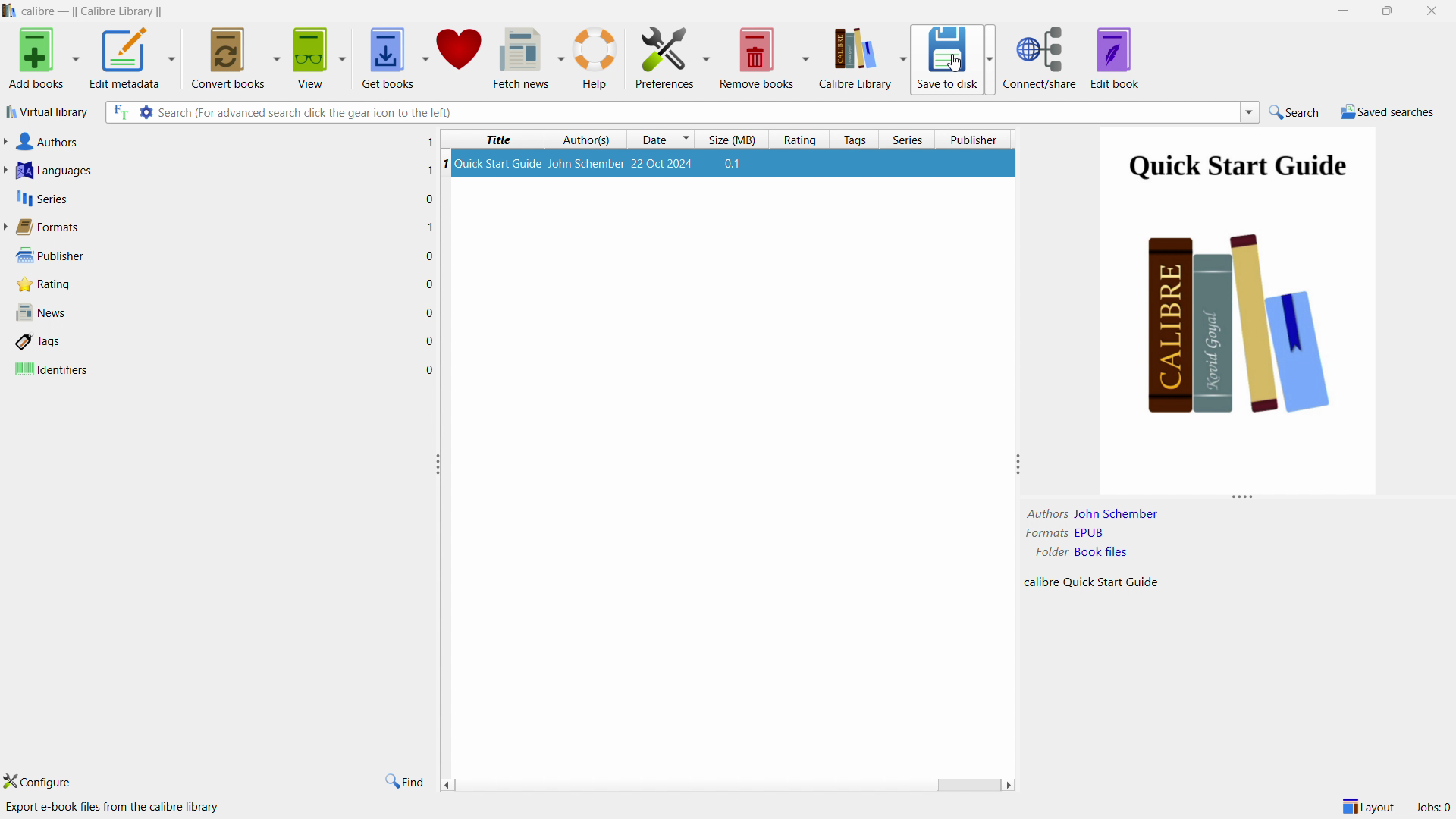 The image size is (1456, 819). What do you see at coordinates (854, 140) in the screenshot?
I see `tags` at bounding box center [854, 140].